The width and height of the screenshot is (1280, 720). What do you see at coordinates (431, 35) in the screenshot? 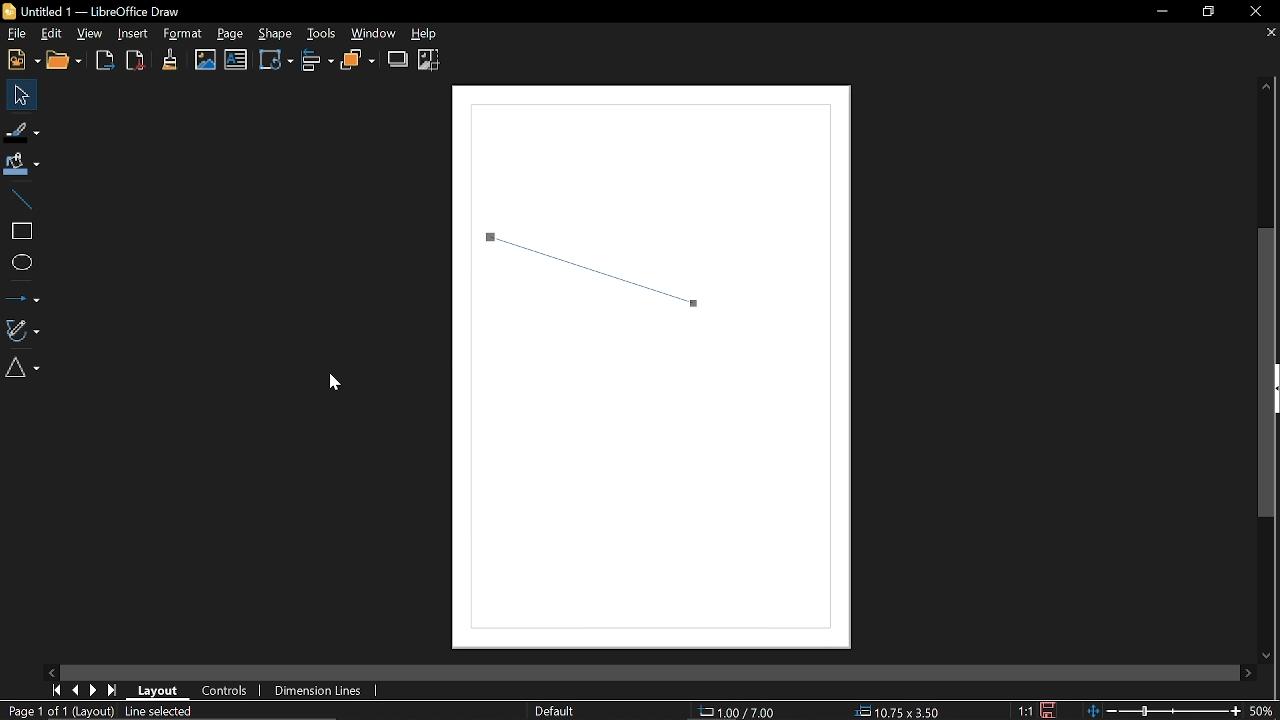
I see `Help` at bounding box center [431, 35].